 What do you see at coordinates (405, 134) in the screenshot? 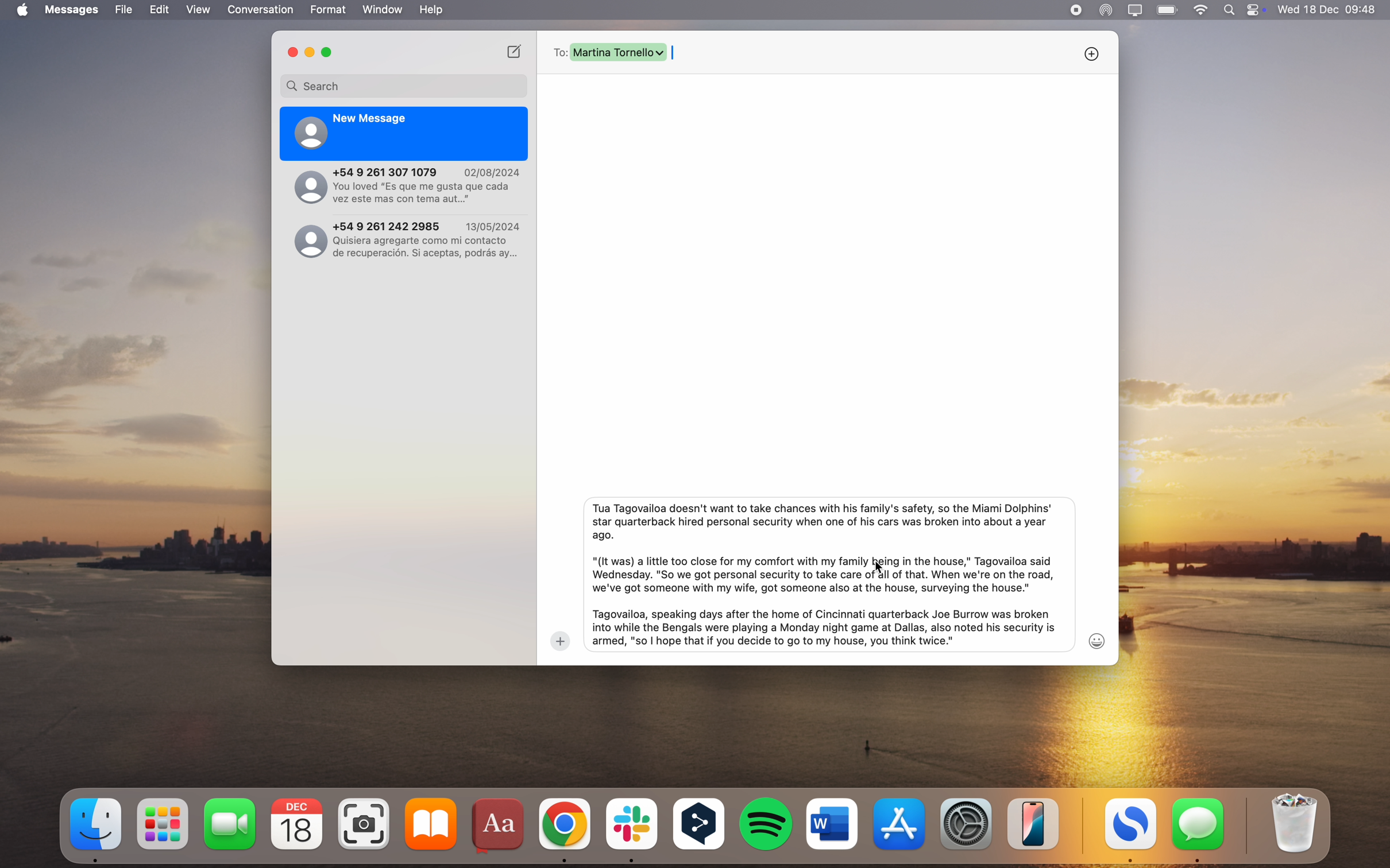
I see `new message` at bounding box center [405, 134].